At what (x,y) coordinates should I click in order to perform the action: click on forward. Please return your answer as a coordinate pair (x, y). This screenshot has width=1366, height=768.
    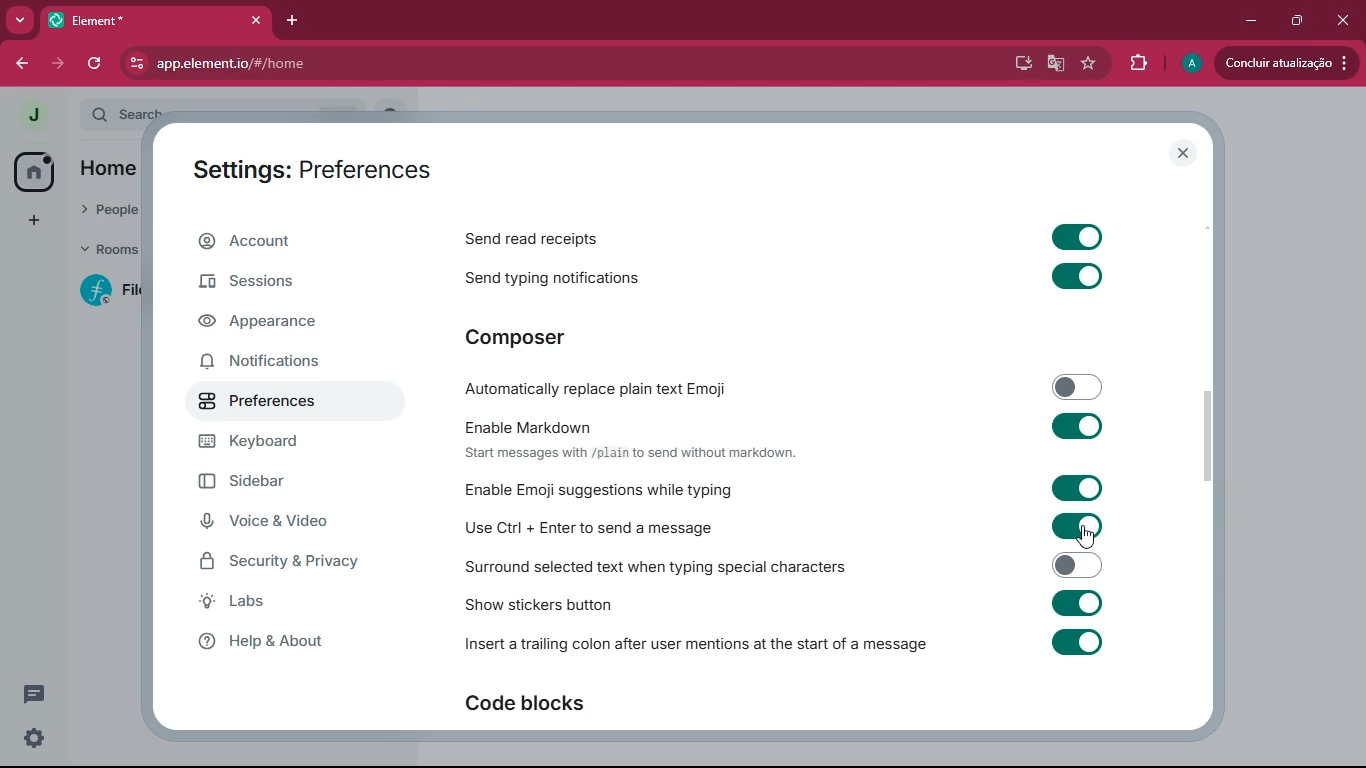
    Looking at the image, I should click on (60, 61).